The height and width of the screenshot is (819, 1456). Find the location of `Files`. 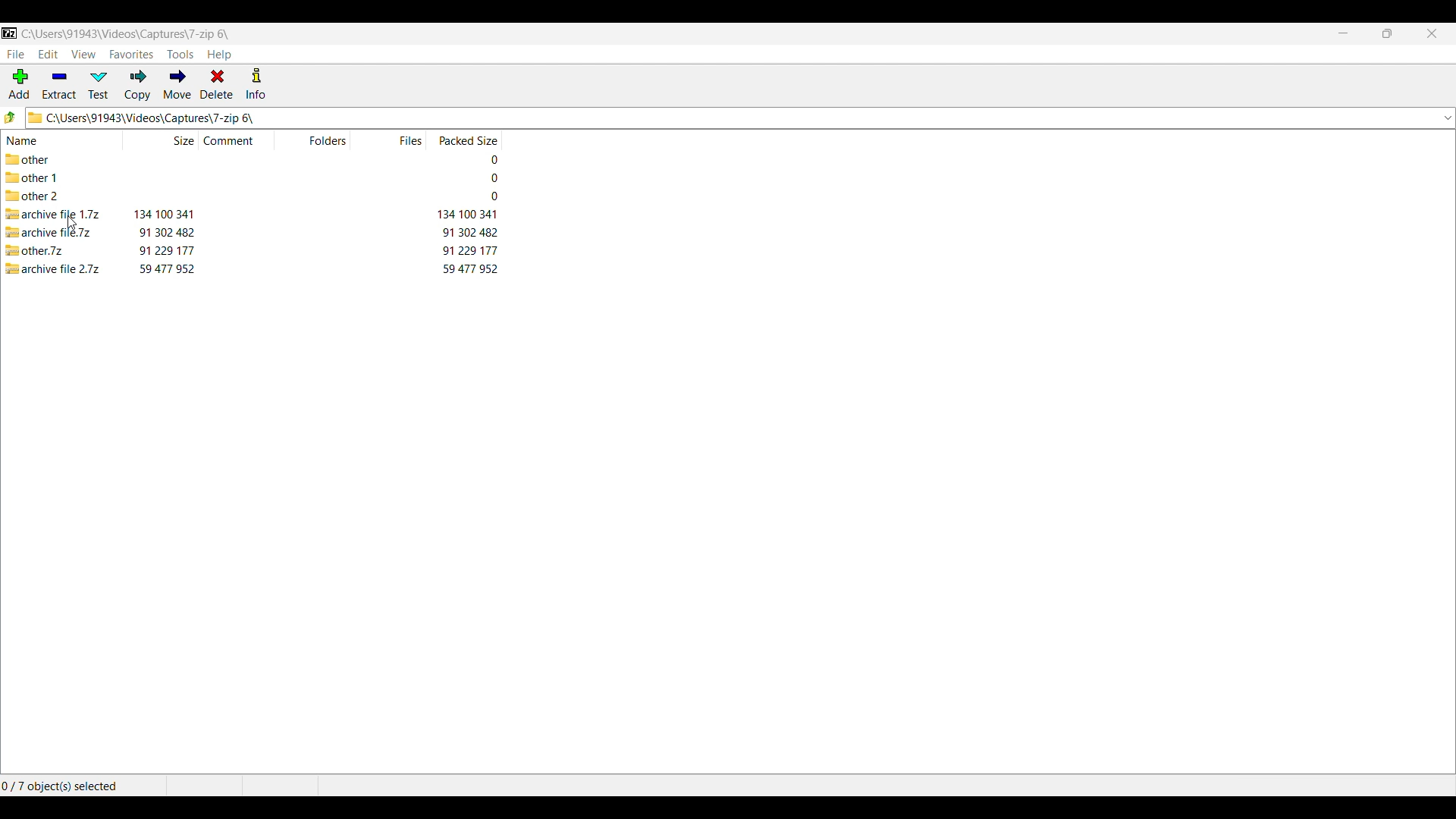

Files is located at coordinates (409, 140).